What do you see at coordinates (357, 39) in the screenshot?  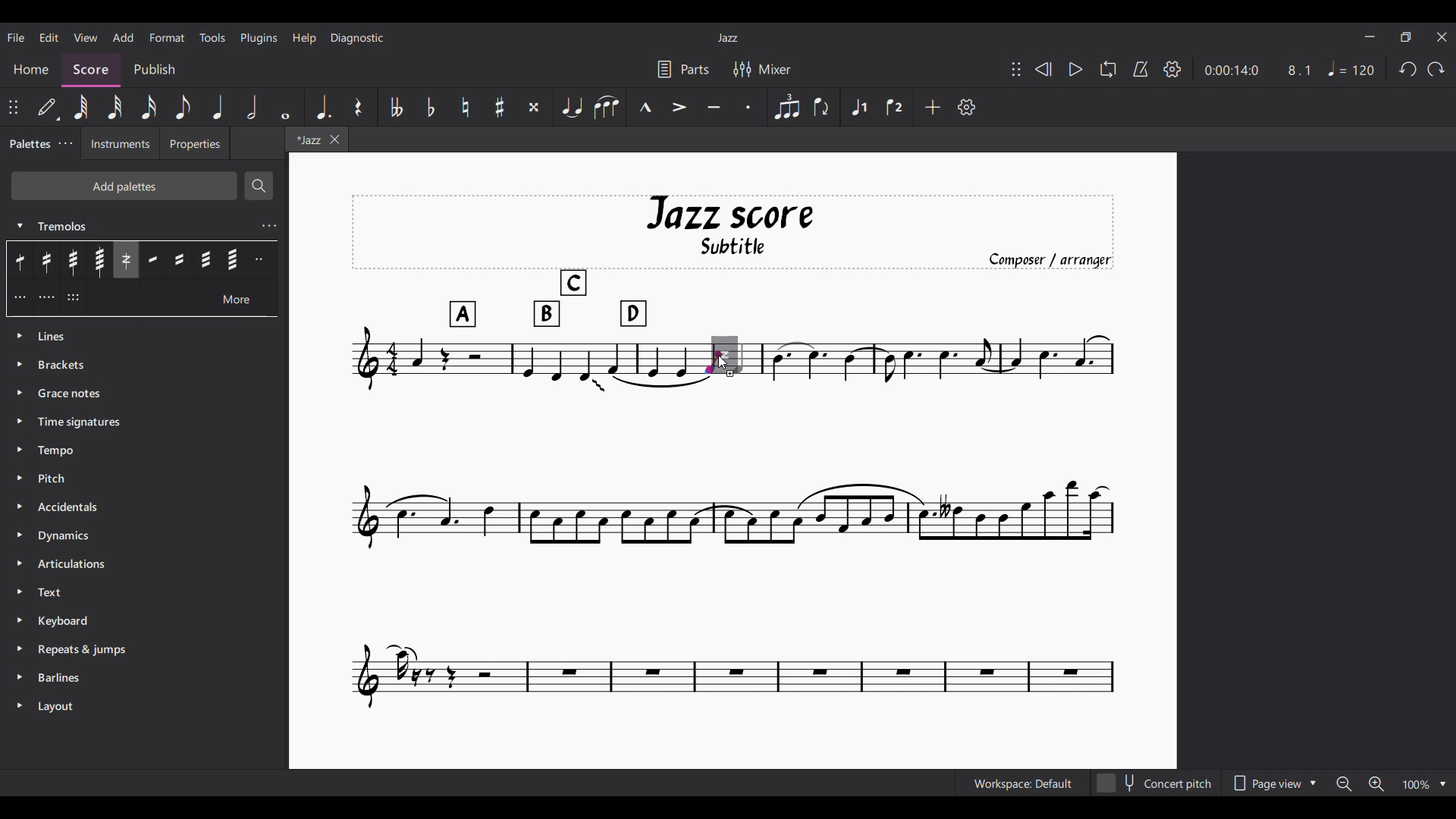 I see `Diagnostic` at bounding box center [357, 39].